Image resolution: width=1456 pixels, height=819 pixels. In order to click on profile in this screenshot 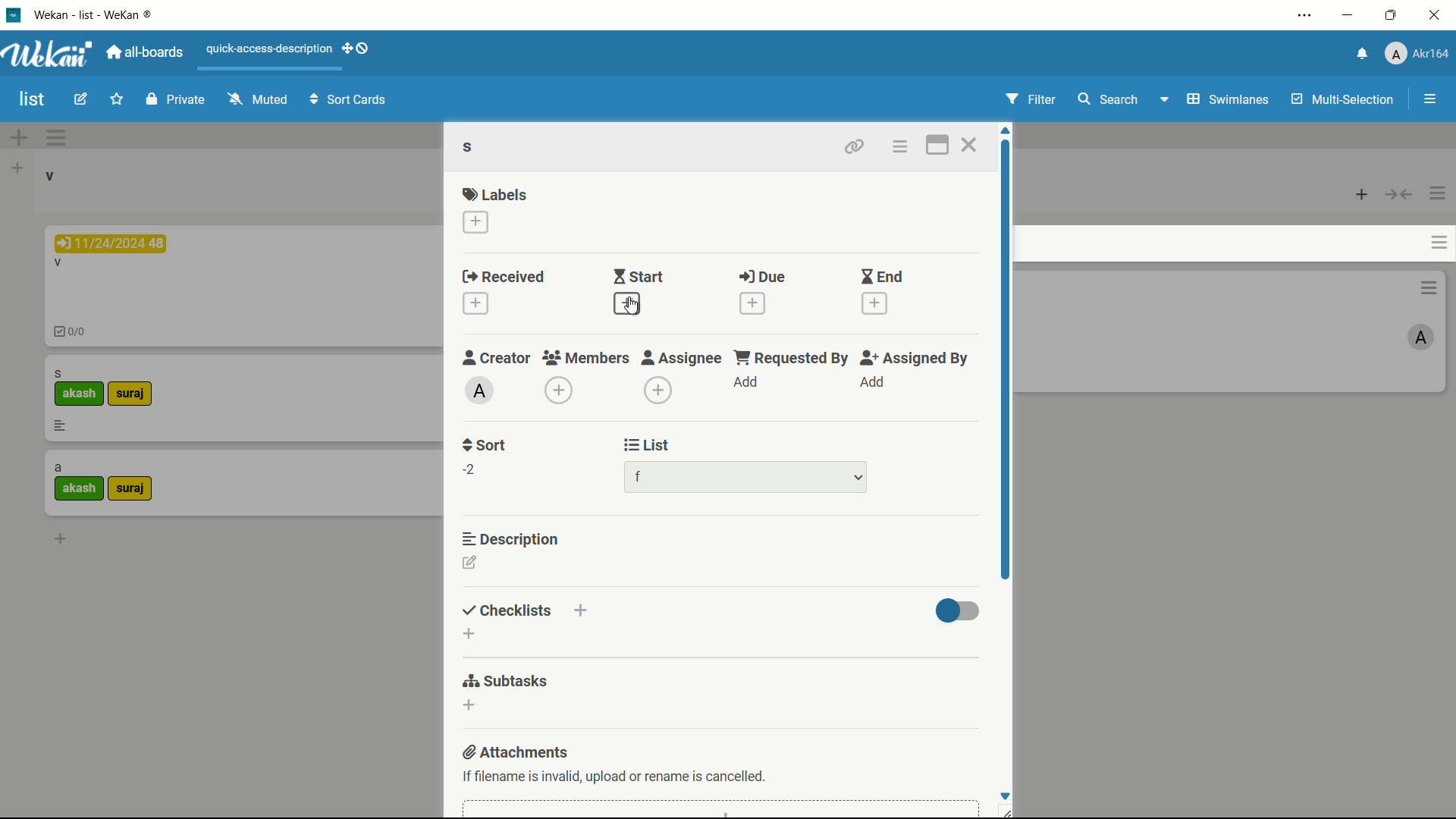, I will do `click(1418, 52)`.